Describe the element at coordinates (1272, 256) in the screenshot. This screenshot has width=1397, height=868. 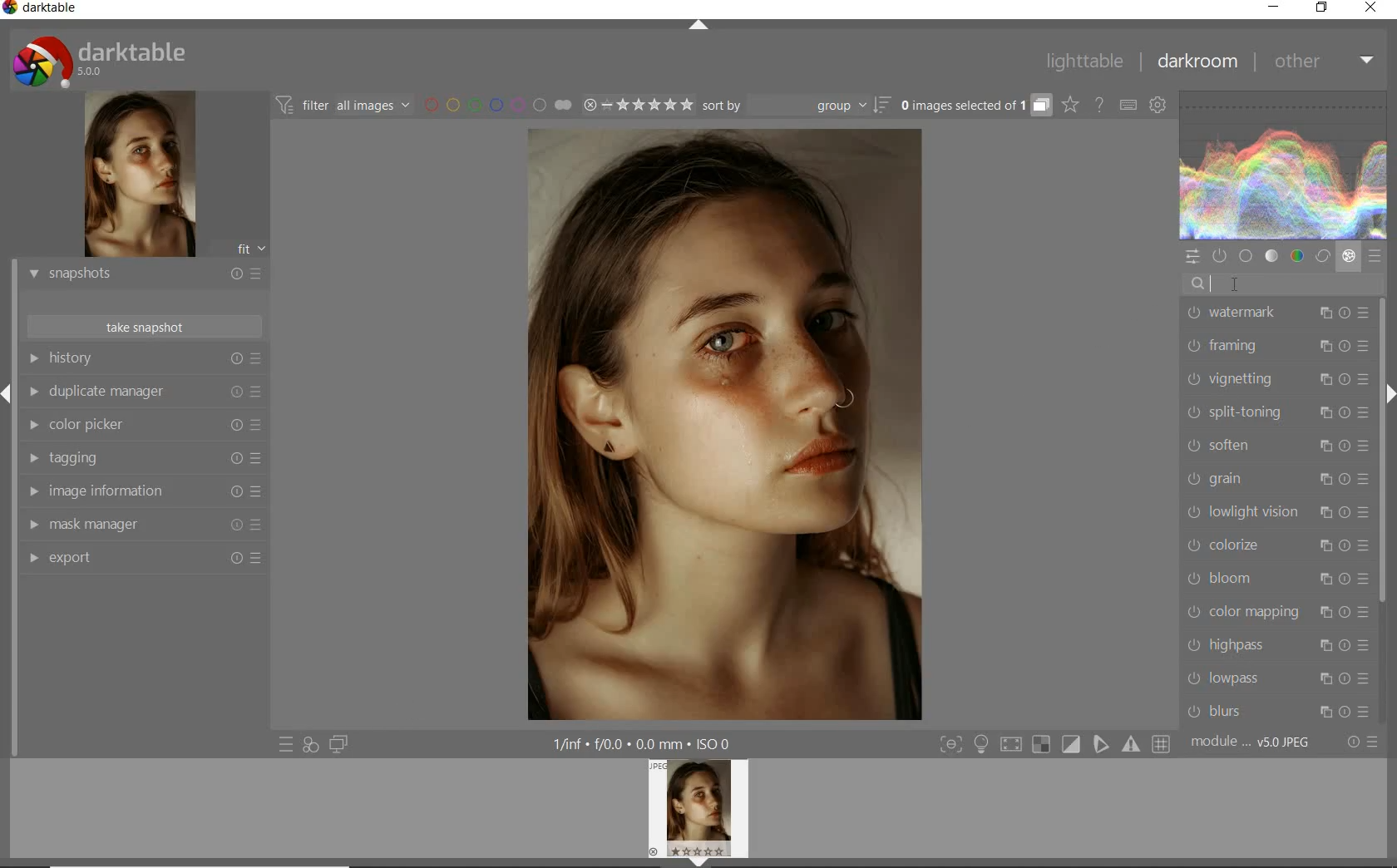
I see `tone` at that location.